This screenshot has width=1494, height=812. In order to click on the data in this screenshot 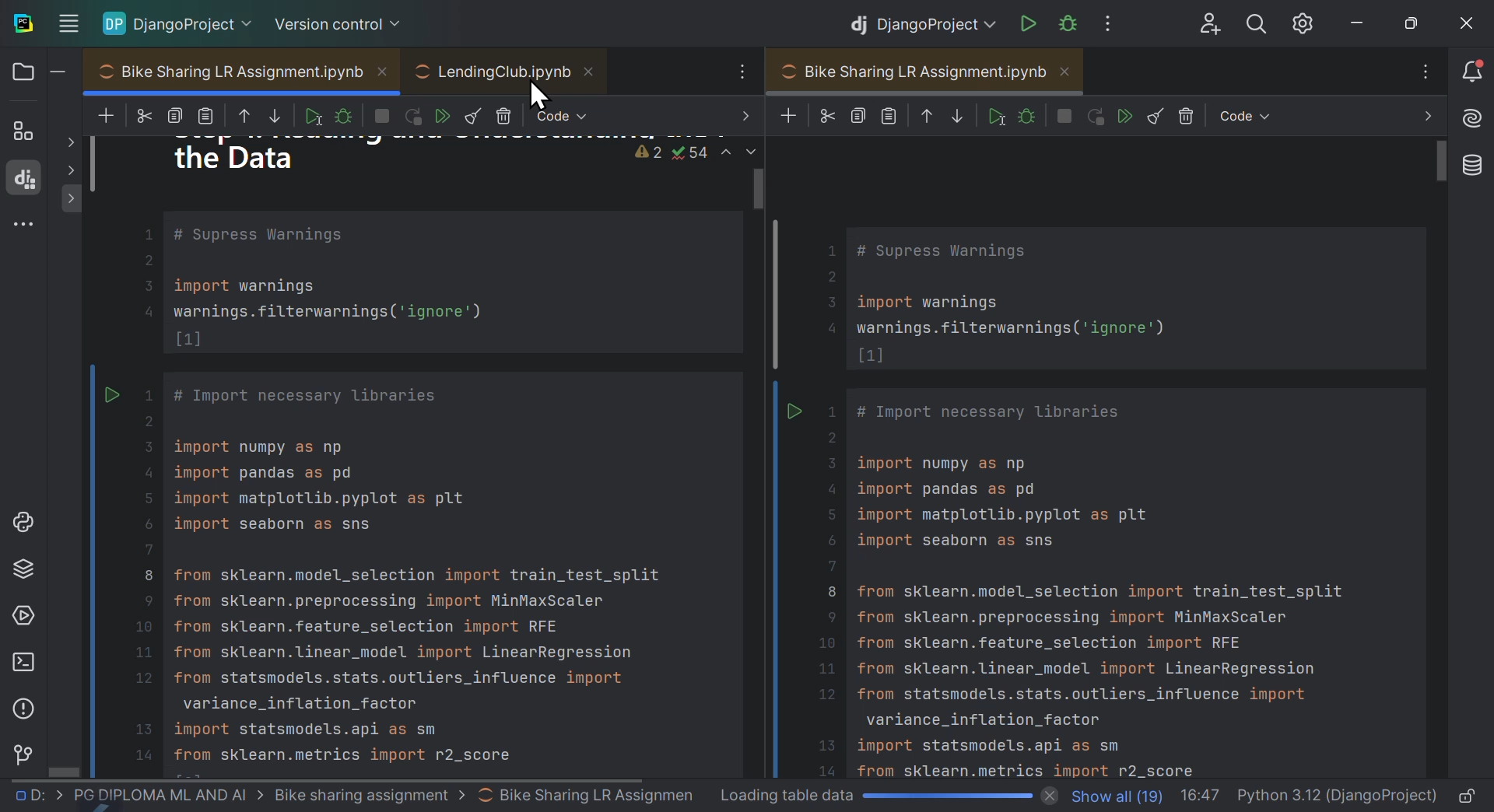, I will do `click(242, 157)`.